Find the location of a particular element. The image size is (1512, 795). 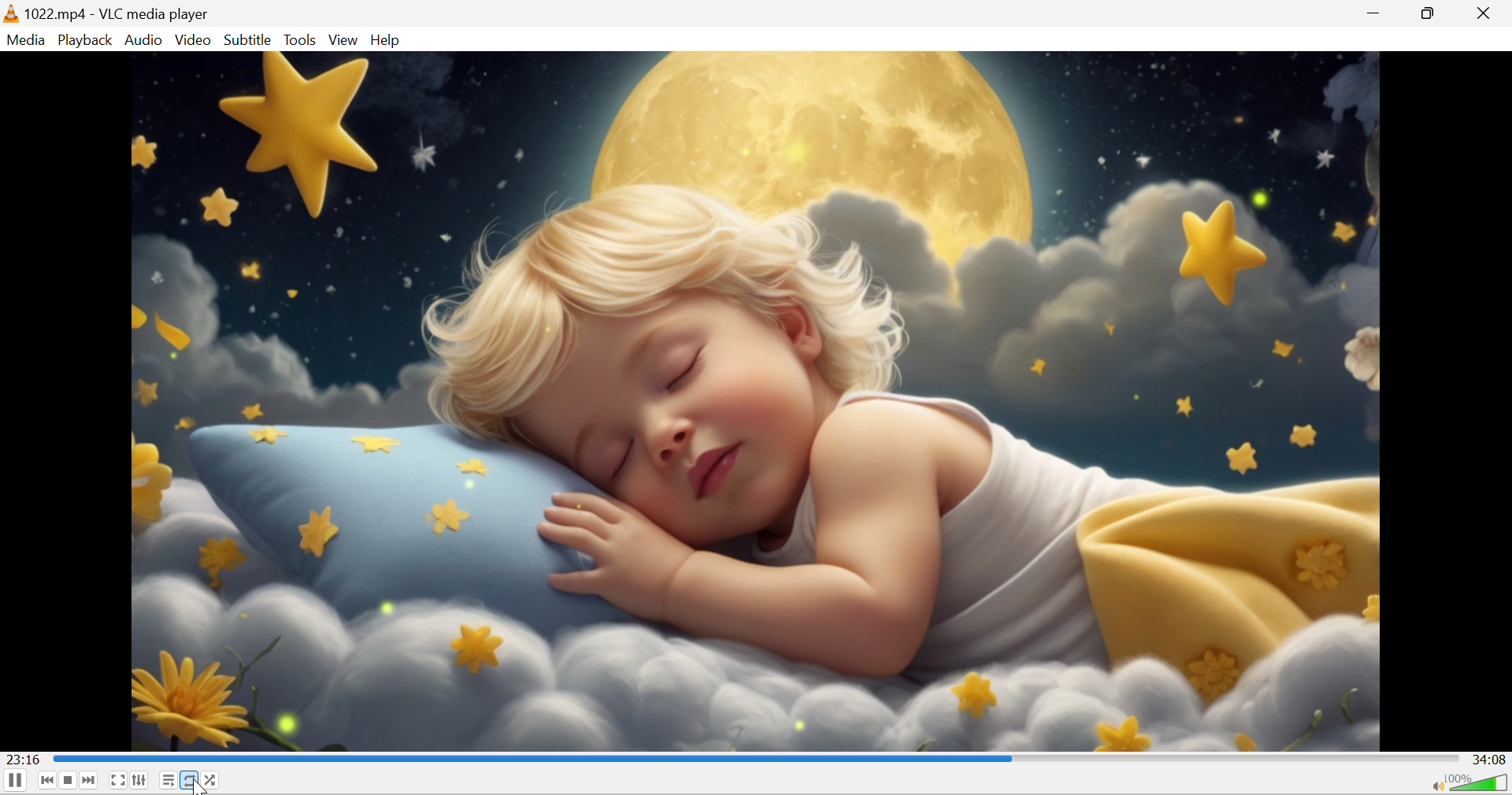

Help is located at coordinates (387, 42).